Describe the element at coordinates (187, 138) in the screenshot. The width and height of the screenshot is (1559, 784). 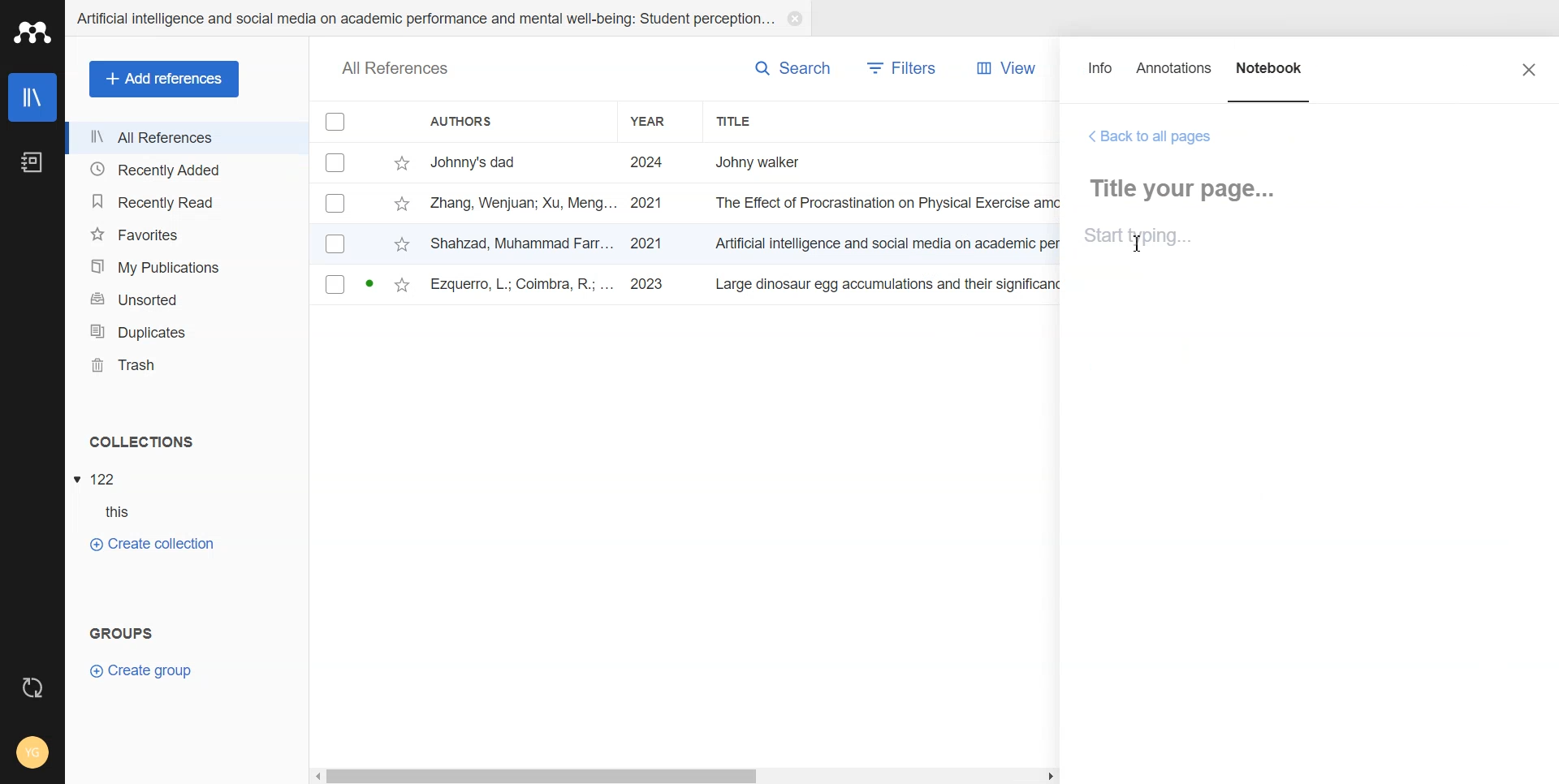
I see `All References` at that location.